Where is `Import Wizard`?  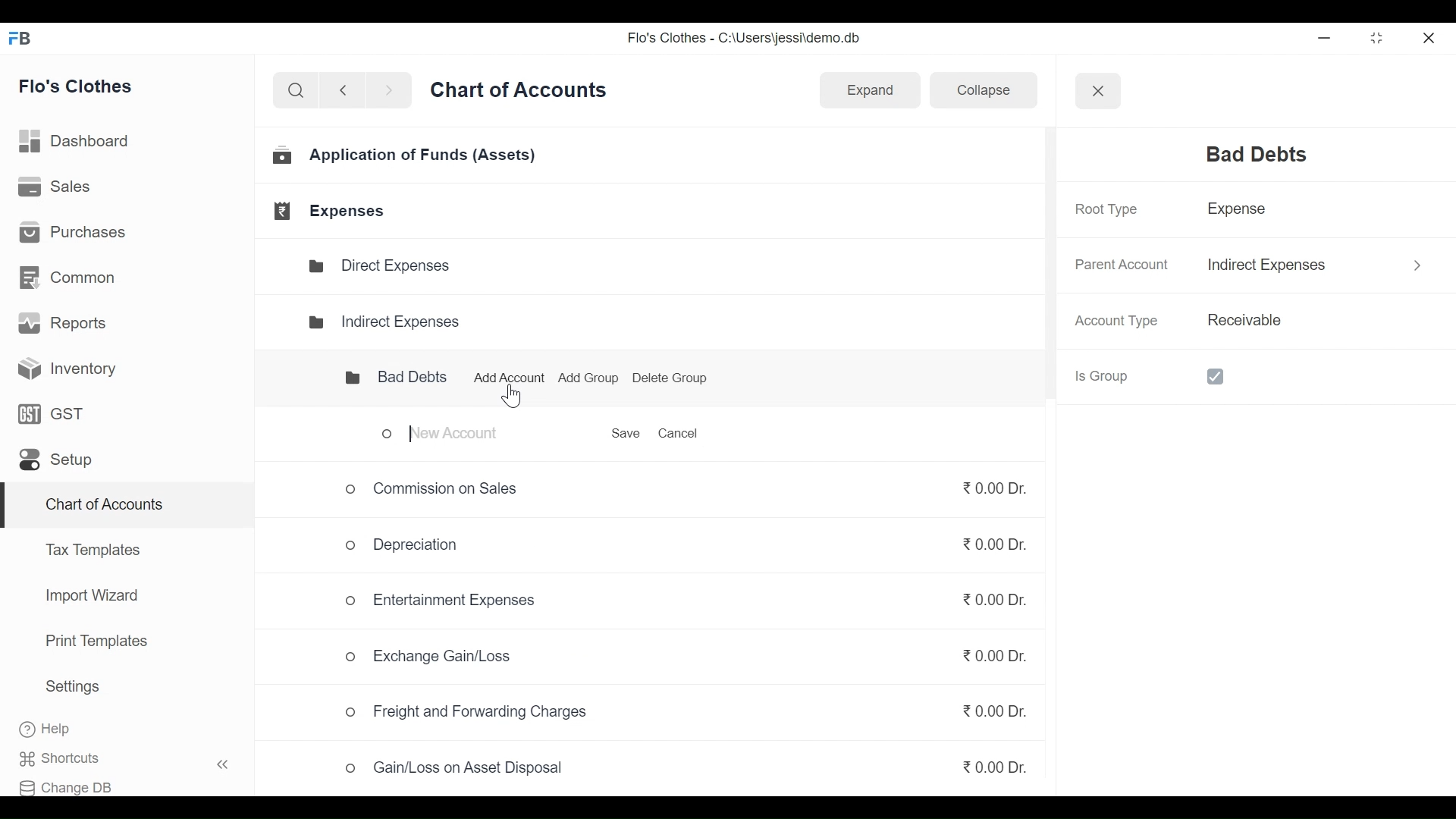 Import Wizard is located at coordinates (87, 598).